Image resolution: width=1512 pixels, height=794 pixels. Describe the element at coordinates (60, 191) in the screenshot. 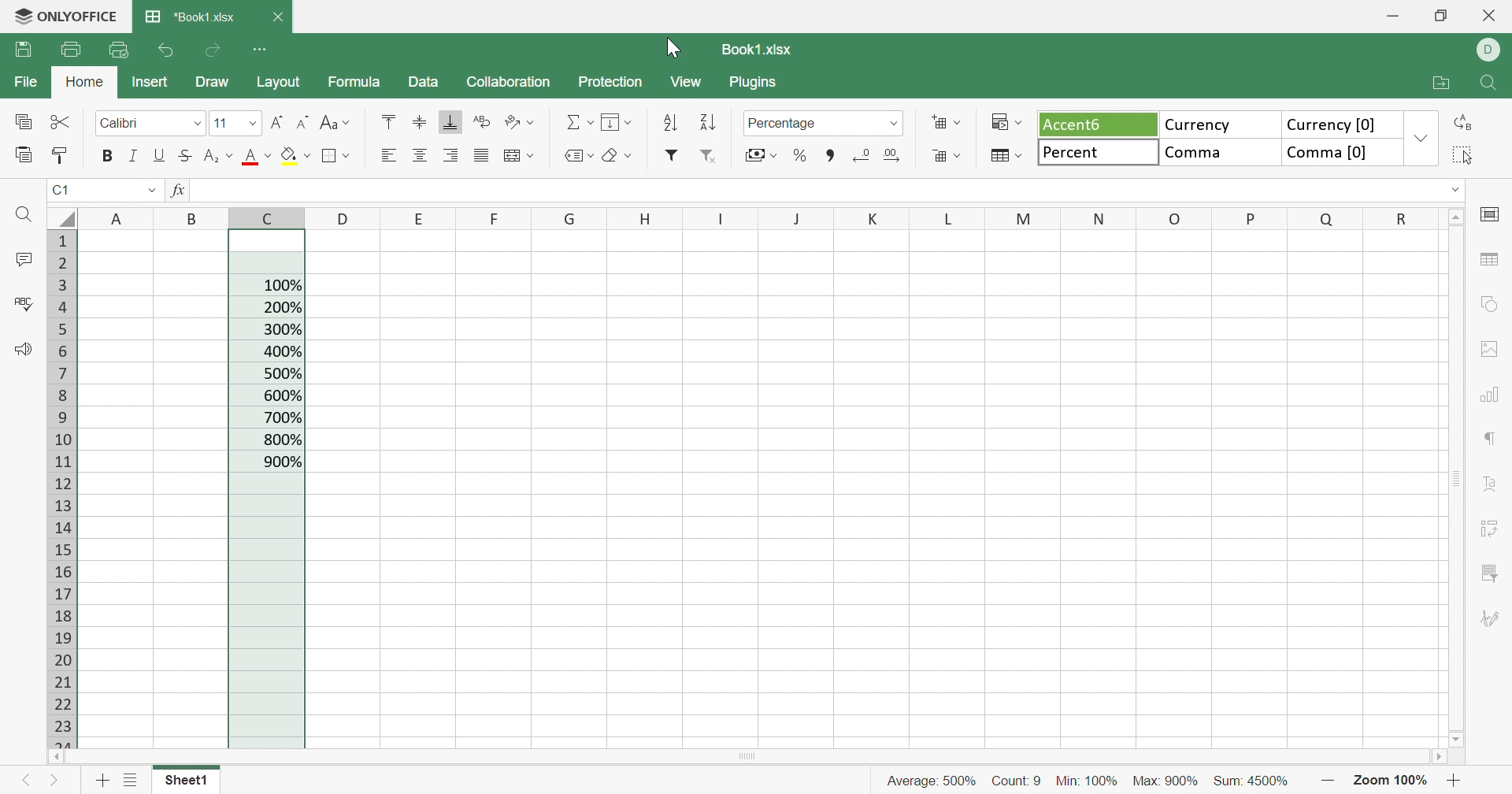

I see `C1` at that location.